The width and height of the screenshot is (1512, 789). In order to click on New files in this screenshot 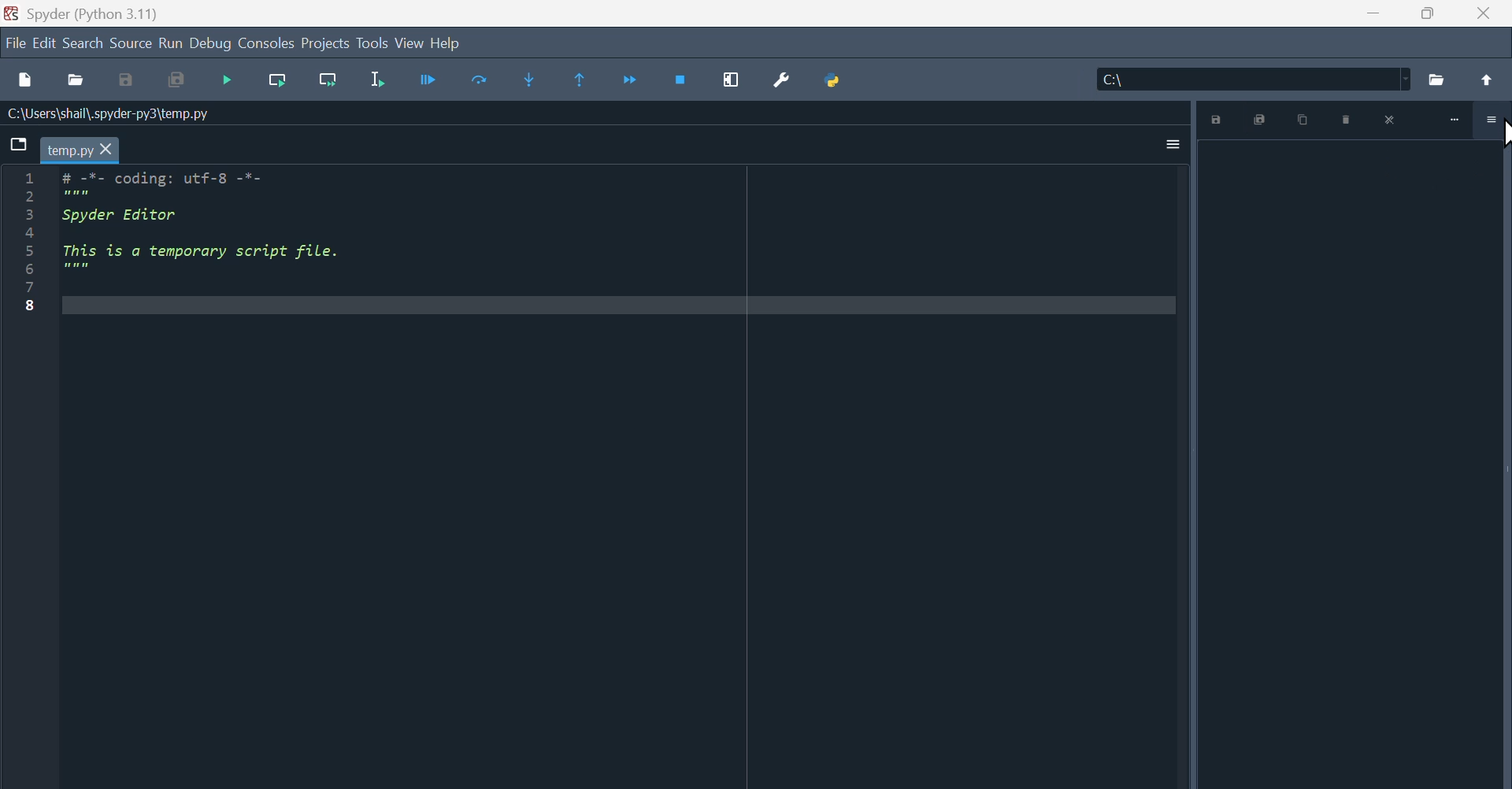, I will do `click(22, 81)`.